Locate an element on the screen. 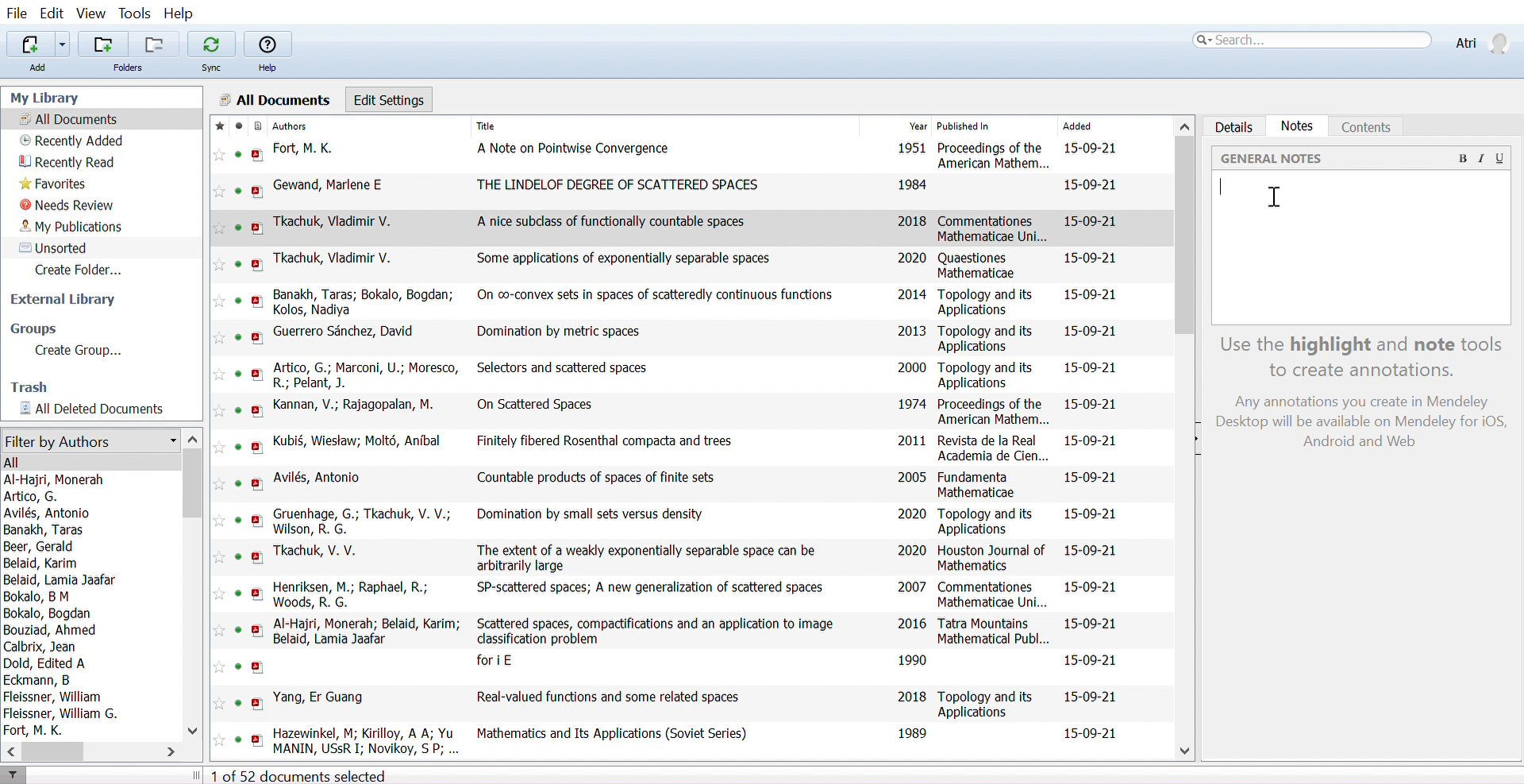  All documents is located at coordinates (68, 119).